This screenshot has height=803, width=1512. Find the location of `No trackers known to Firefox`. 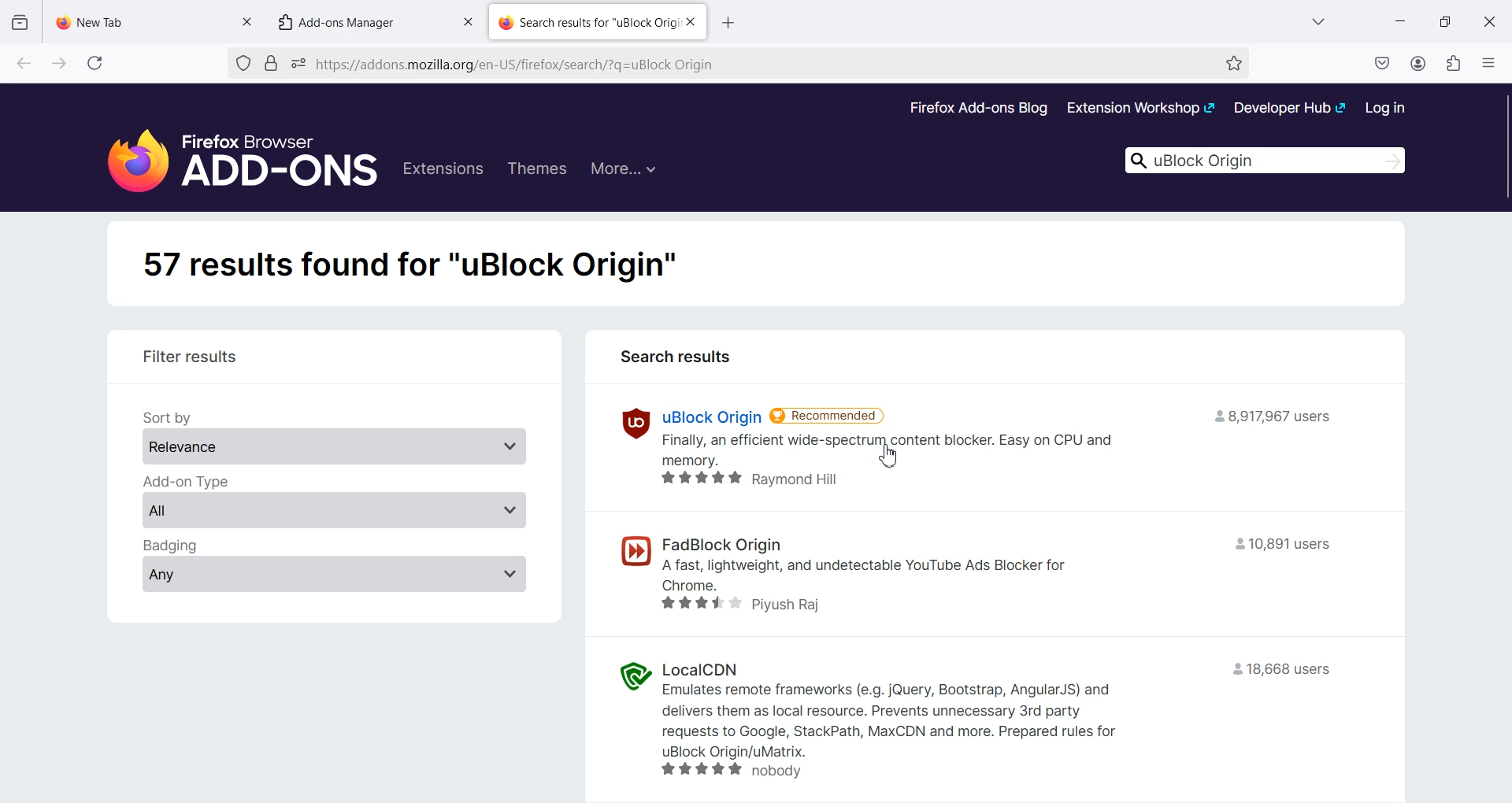

No trackers known to Firefox is located at coordinates (241, 64).